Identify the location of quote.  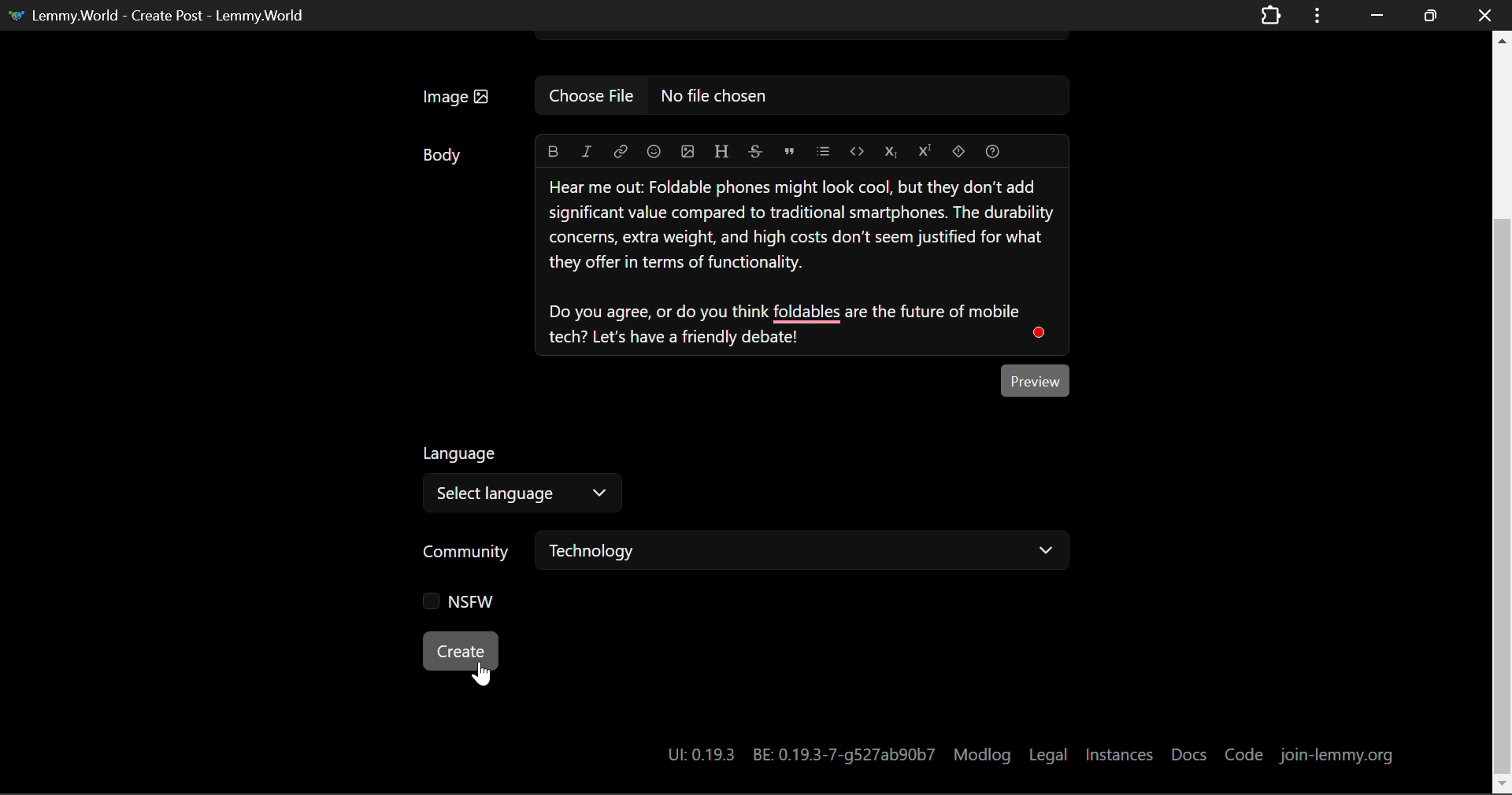
(789, 150).